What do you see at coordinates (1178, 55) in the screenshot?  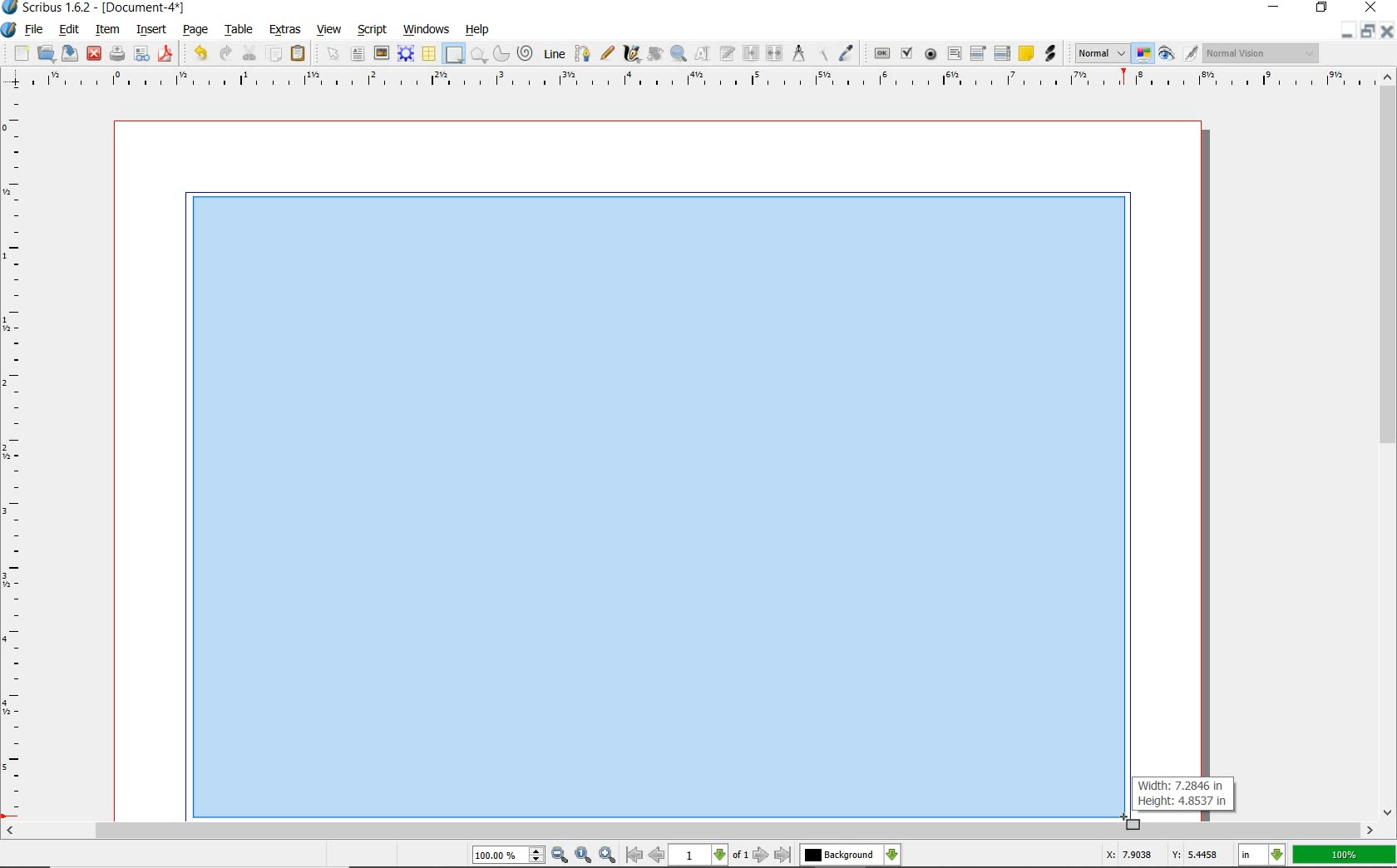 I see `preview mode` at bounding box center [1178, 55].